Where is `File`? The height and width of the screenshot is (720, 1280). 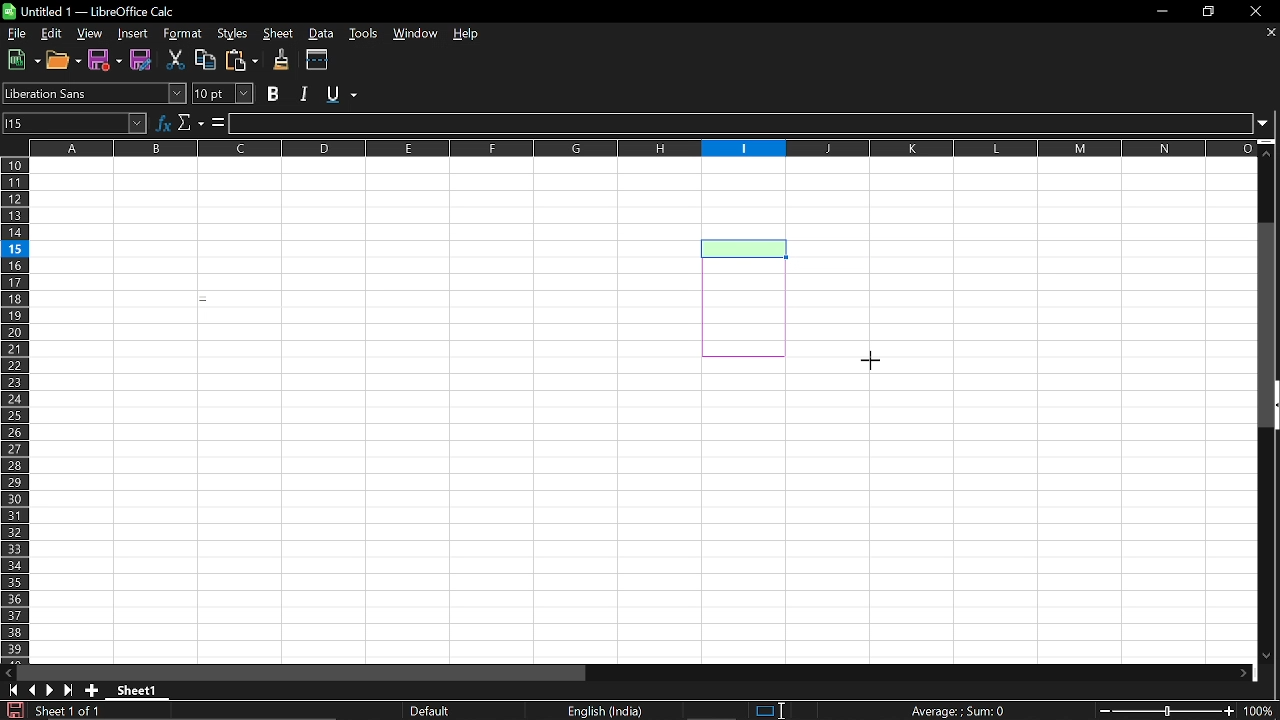
File is located at coordinates (15, 34).